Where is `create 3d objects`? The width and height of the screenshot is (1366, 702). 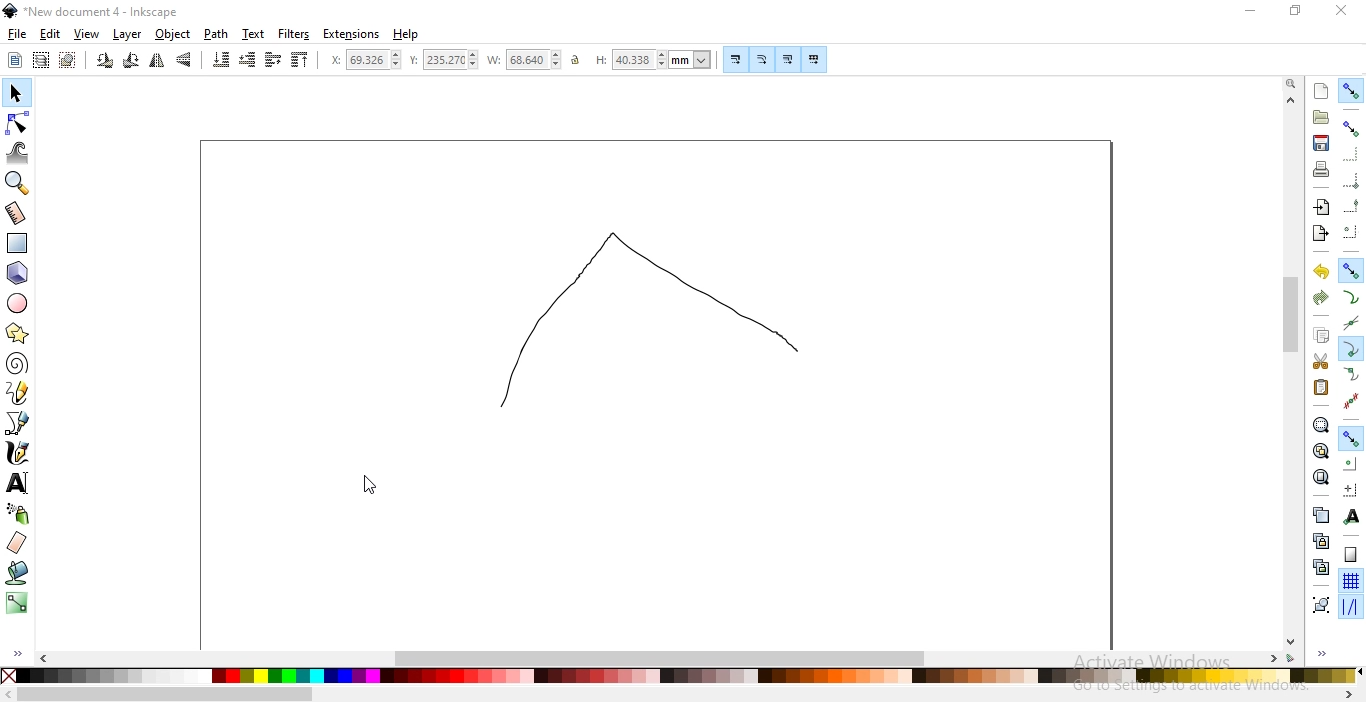
create 3d objects is located at coordinates (18, 274).